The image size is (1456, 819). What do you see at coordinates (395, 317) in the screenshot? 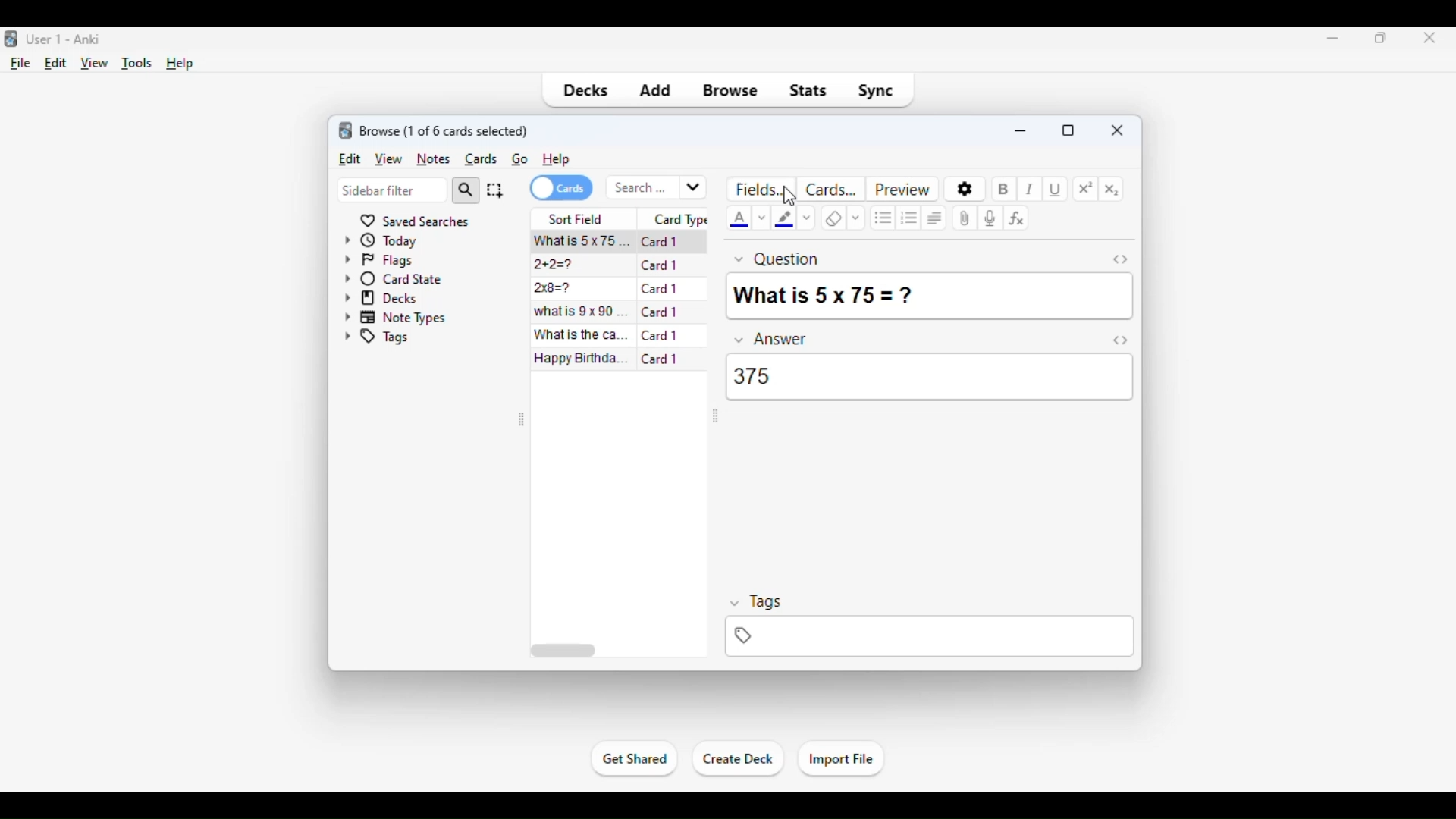
I see `note types` at bounding box center [395, 317].